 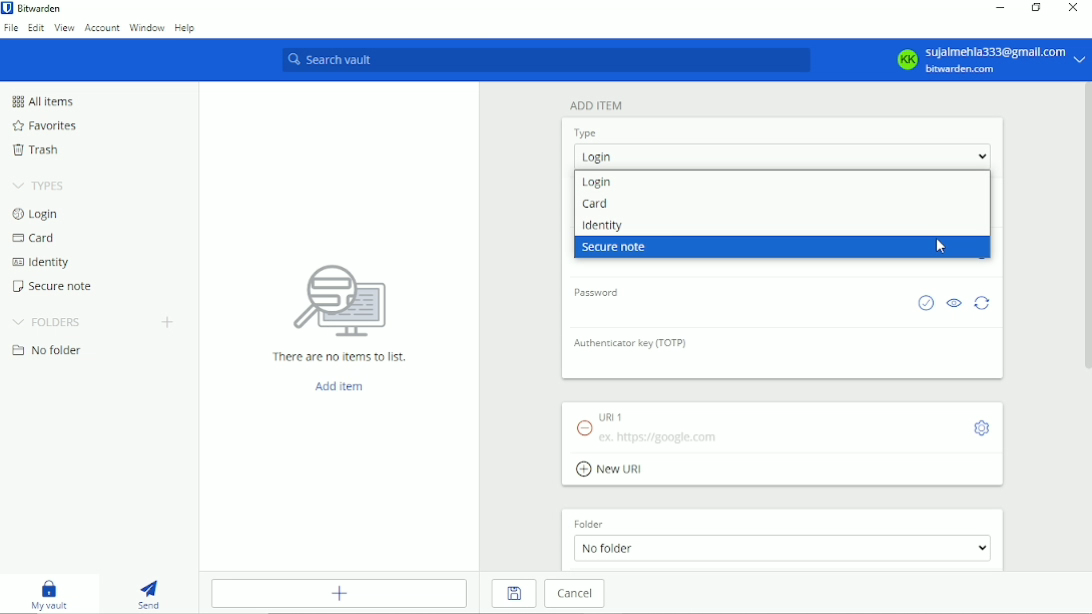 I want to click on Edit, so click(x=37, y=28).